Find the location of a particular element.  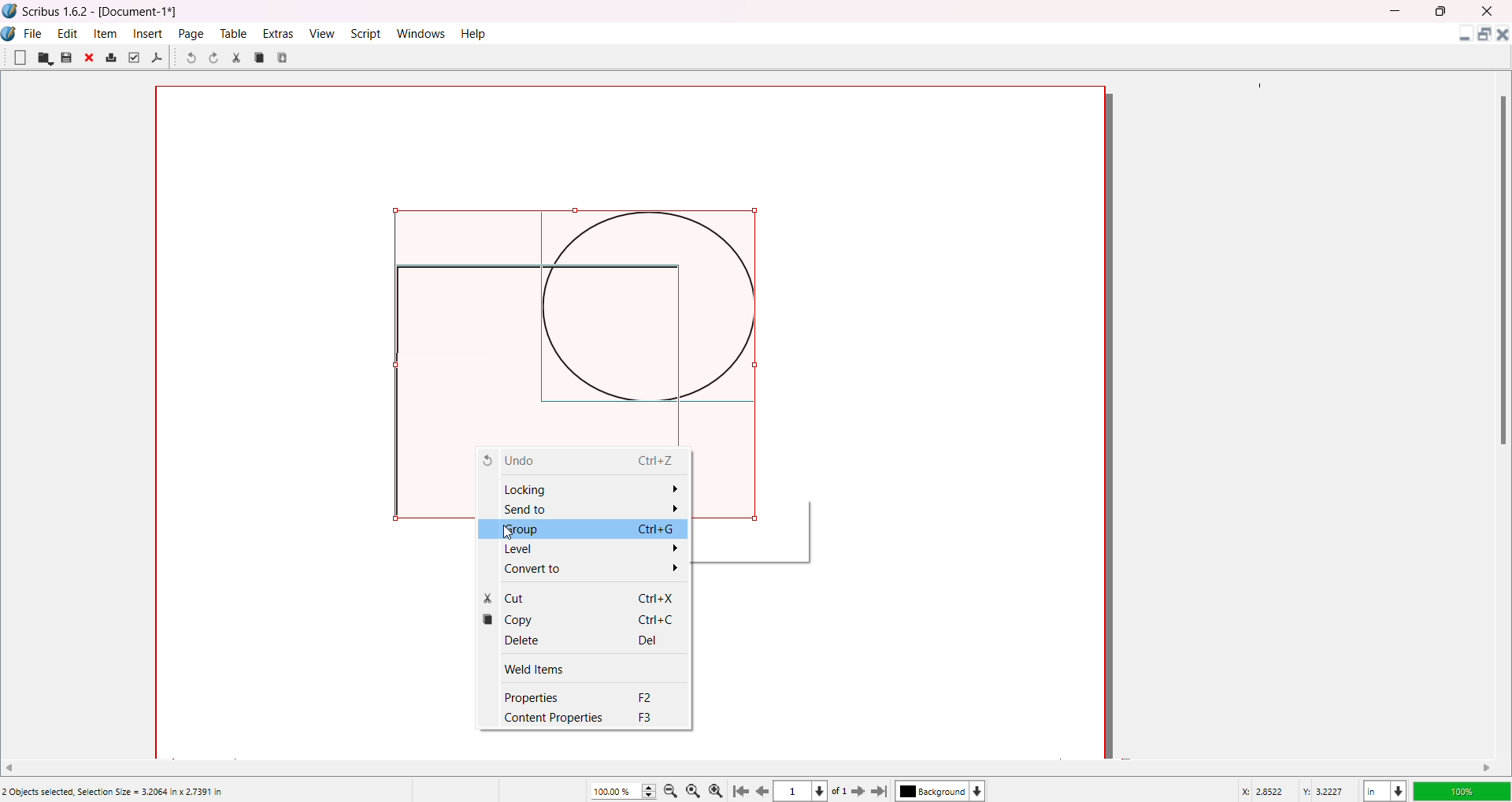

Page is located at coordinates (192, 33).